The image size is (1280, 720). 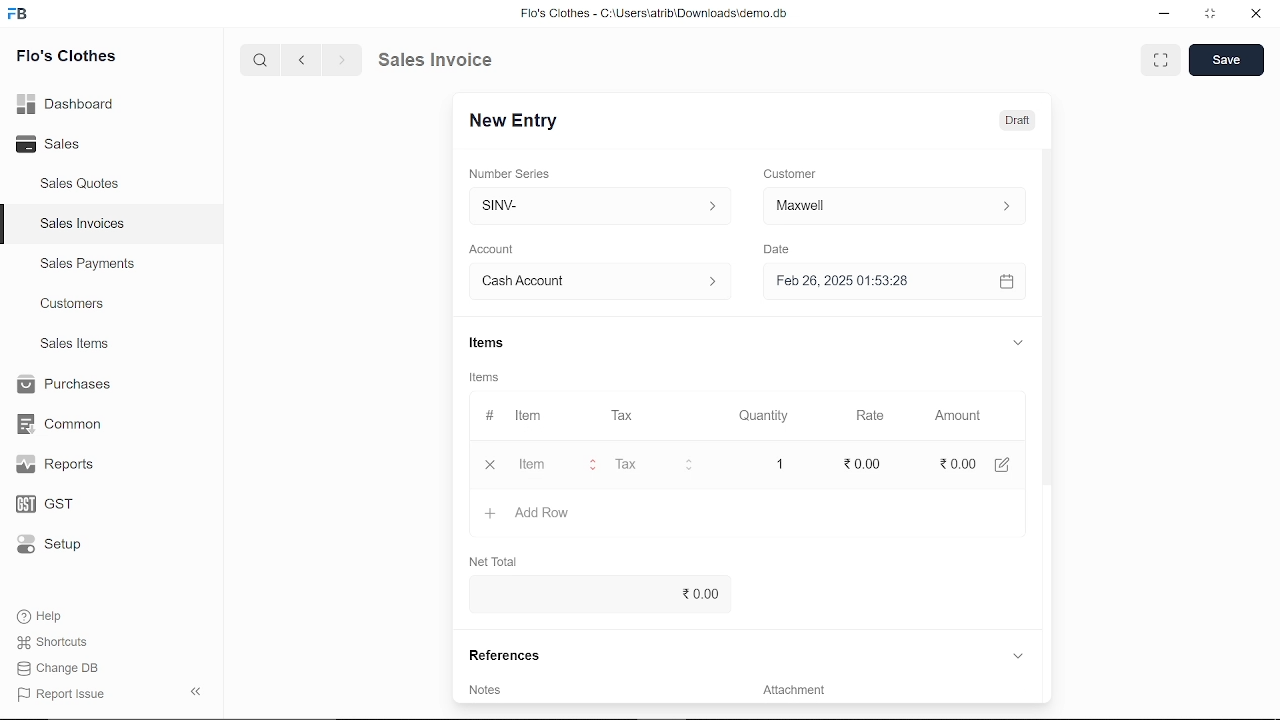 I want to click on edit account, so click(x=1006, y=463).